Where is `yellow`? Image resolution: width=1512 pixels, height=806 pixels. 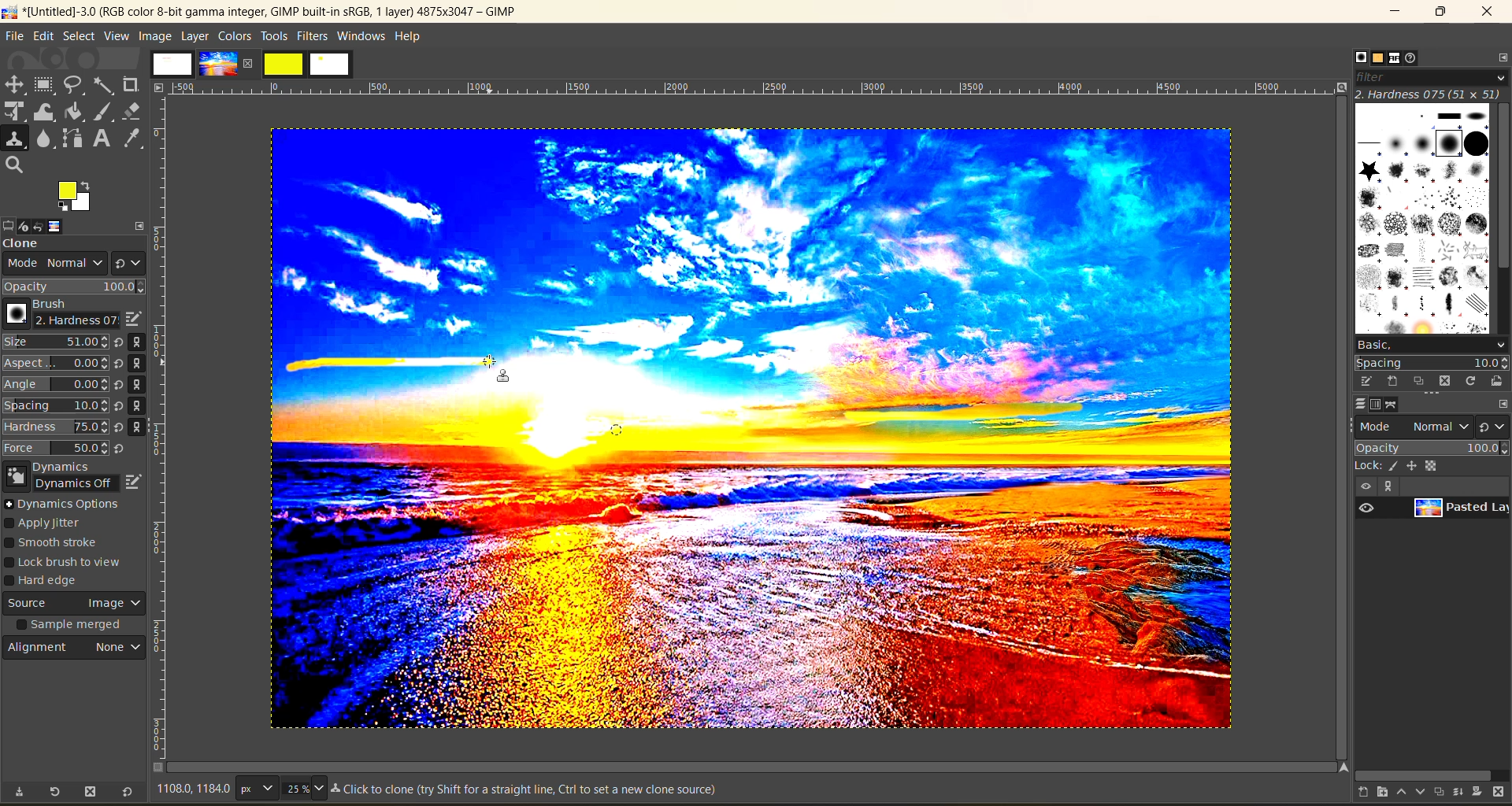 yellow is located at coordinates (284, 64).